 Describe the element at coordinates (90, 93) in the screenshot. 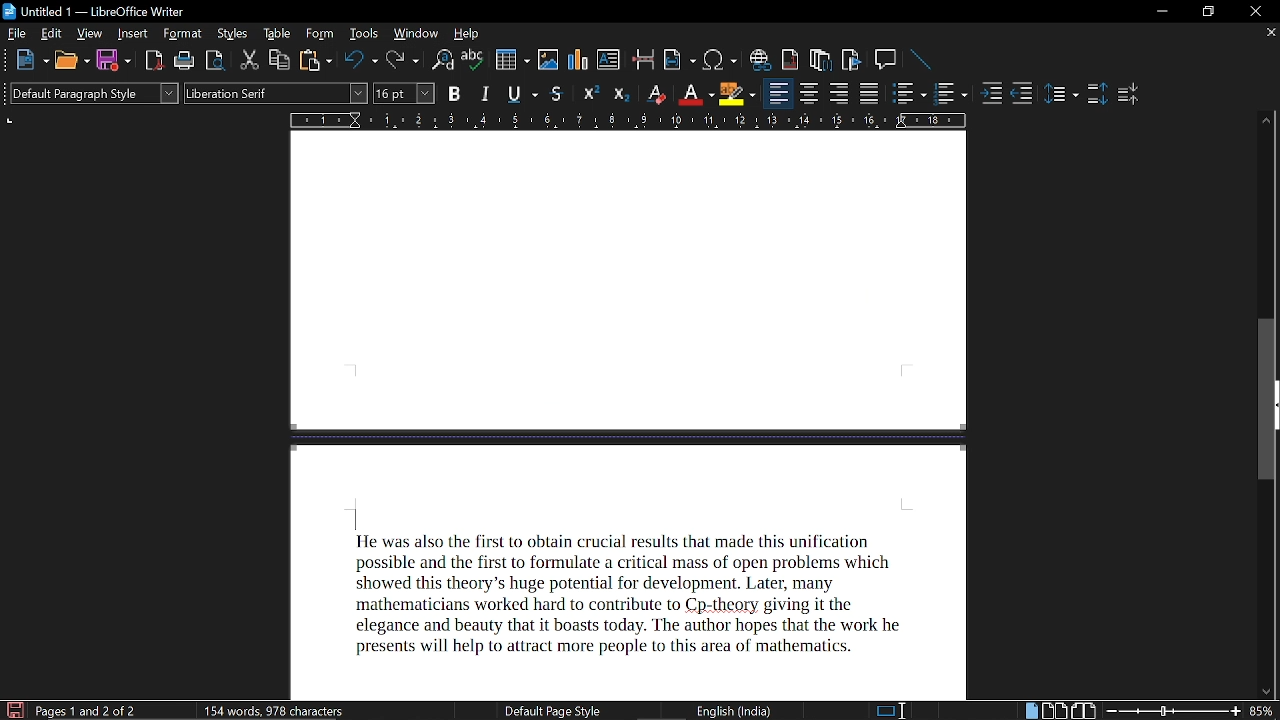

I see `Paragraph style` at that location.